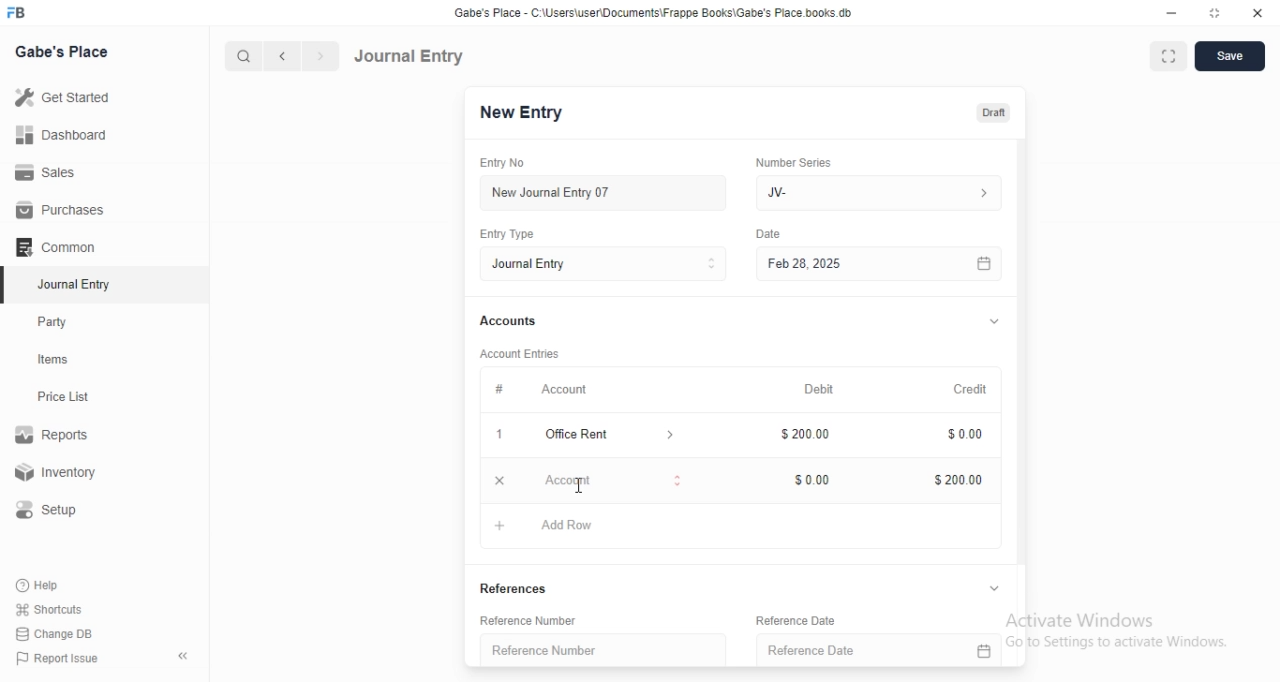  What do you see at coordinates (548, 527) in the screenshot?
I see `+ AddRow` at bounding box center [548, 527].